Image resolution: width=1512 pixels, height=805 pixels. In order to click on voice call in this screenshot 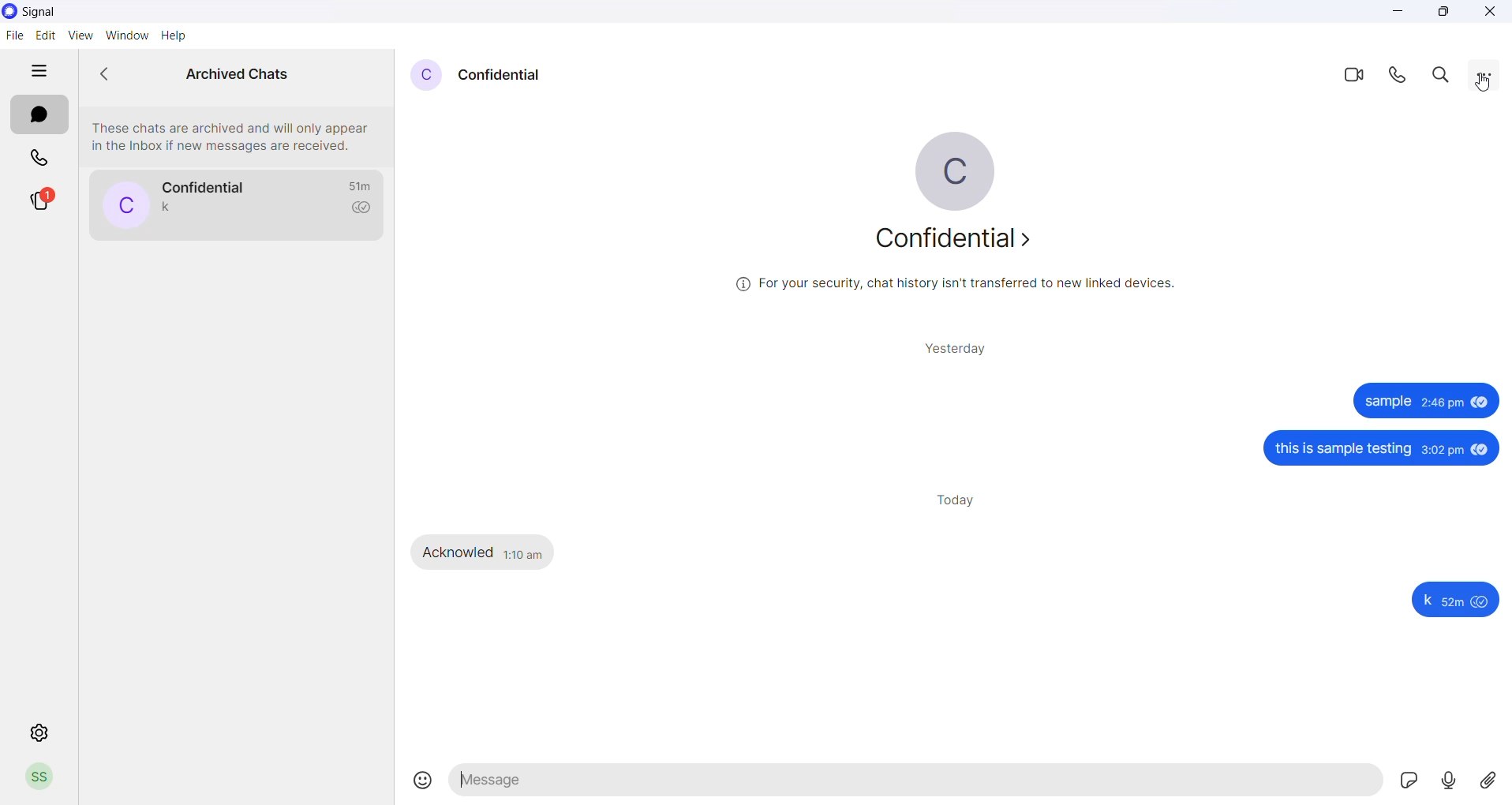, I will do `click(1403, 78)`.